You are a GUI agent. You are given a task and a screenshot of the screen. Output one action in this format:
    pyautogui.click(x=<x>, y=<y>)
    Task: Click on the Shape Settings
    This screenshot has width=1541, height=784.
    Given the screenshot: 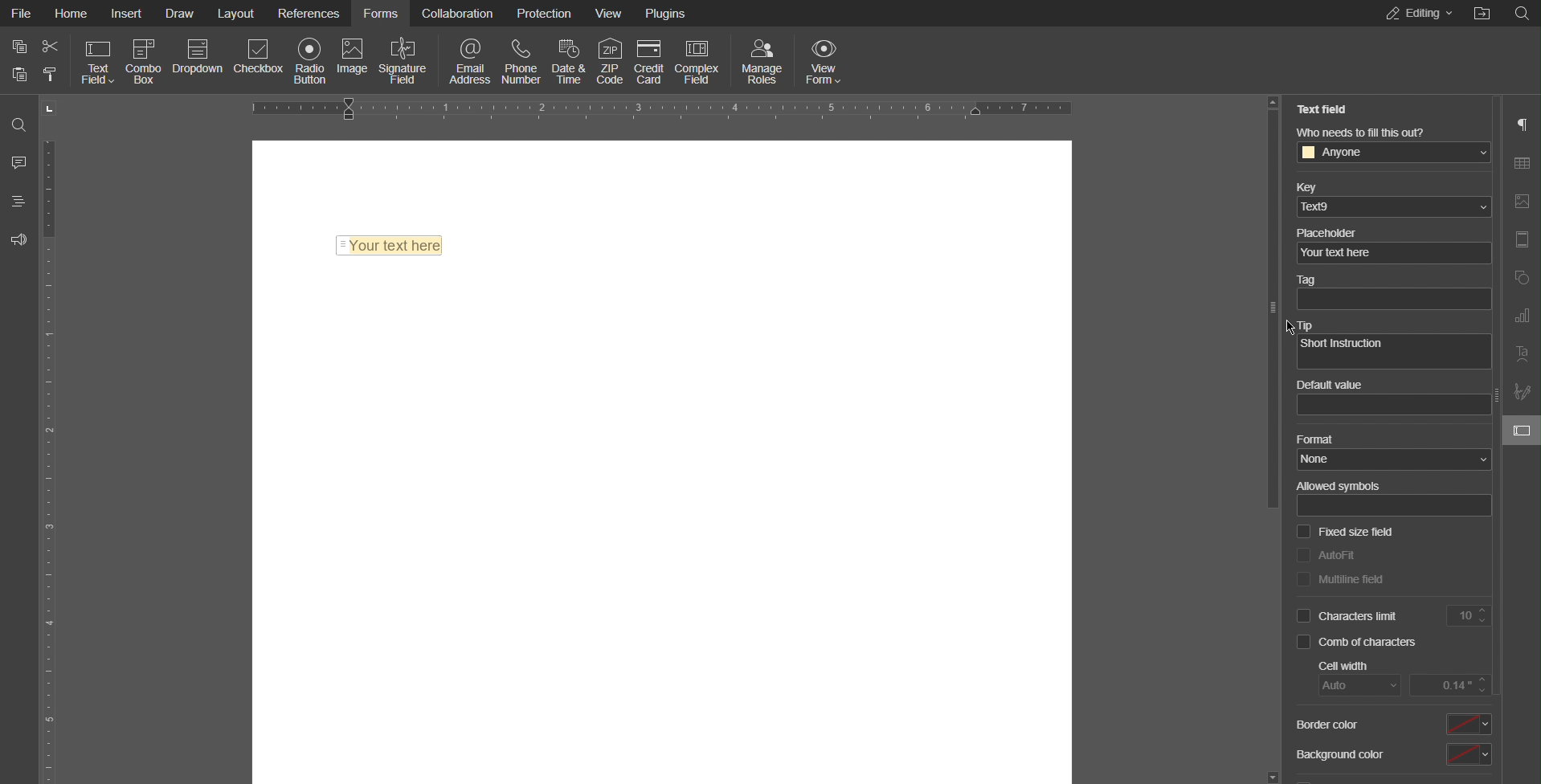 What is the action you would take?
    pyautogui.click(x=1521, y=275)
    